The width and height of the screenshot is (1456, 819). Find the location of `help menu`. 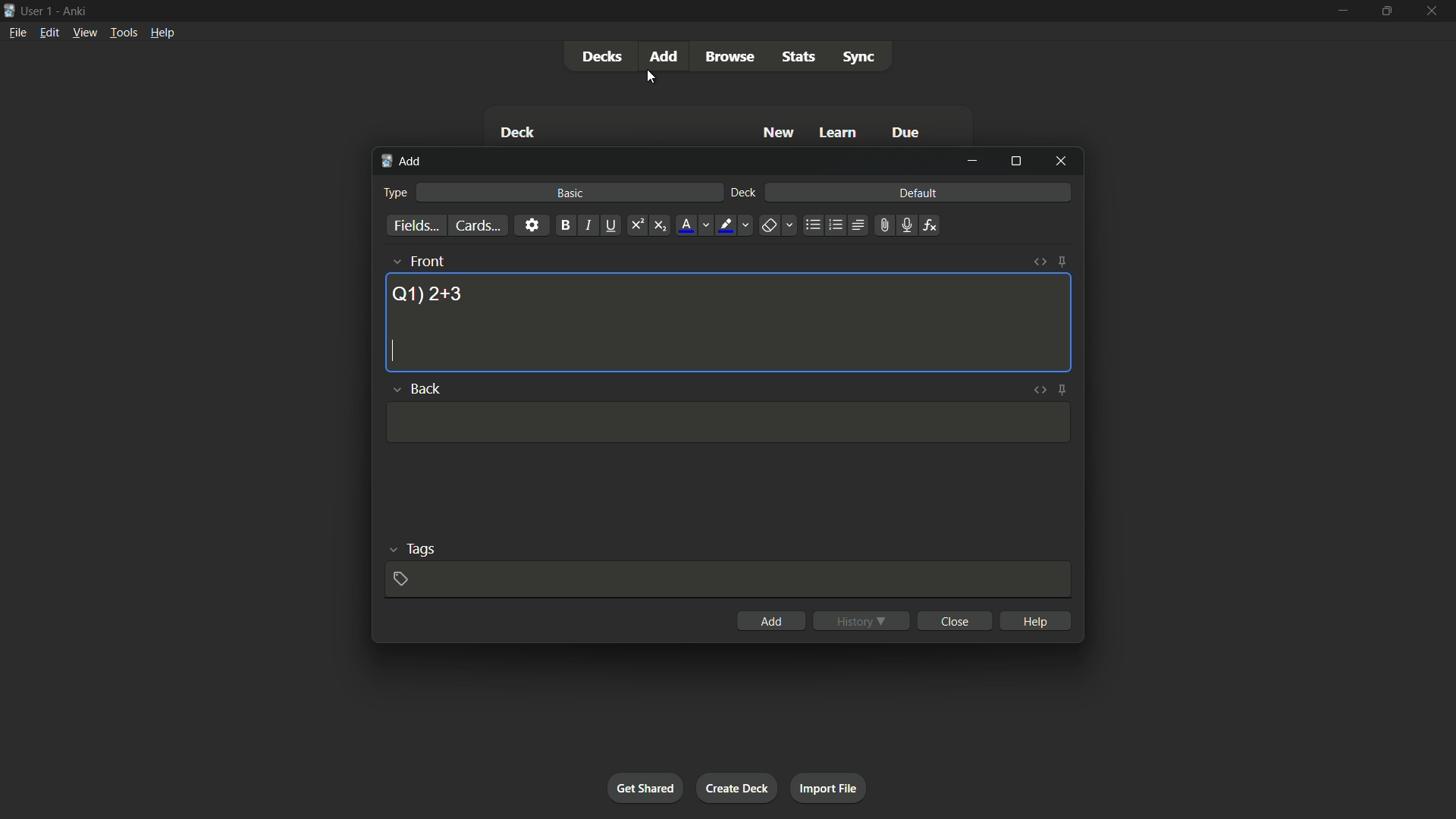

help menu is located at coordinates (162, 33).